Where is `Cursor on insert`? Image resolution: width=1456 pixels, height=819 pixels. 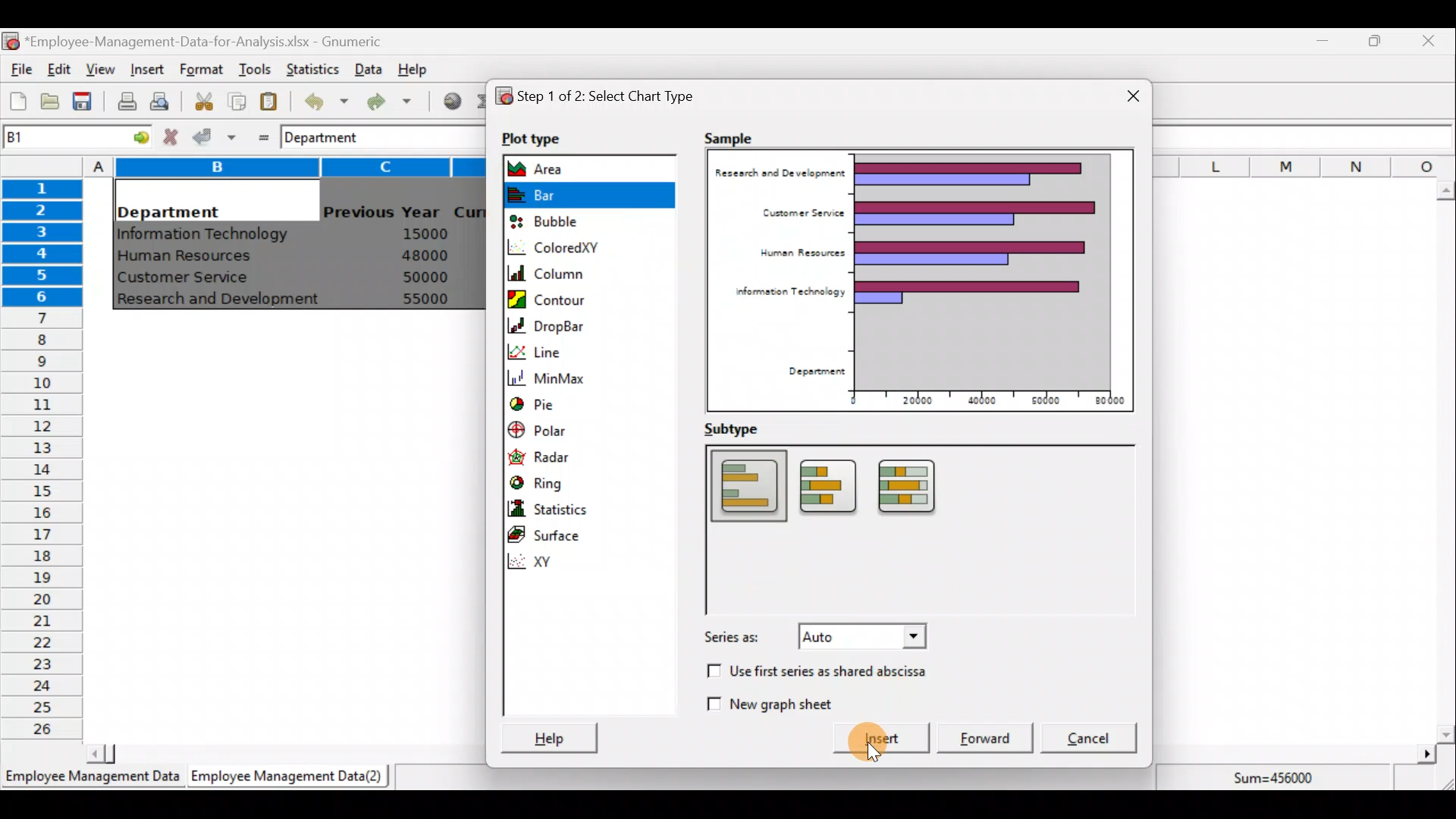
Cursor on insert is located at coordinates (897, 744).